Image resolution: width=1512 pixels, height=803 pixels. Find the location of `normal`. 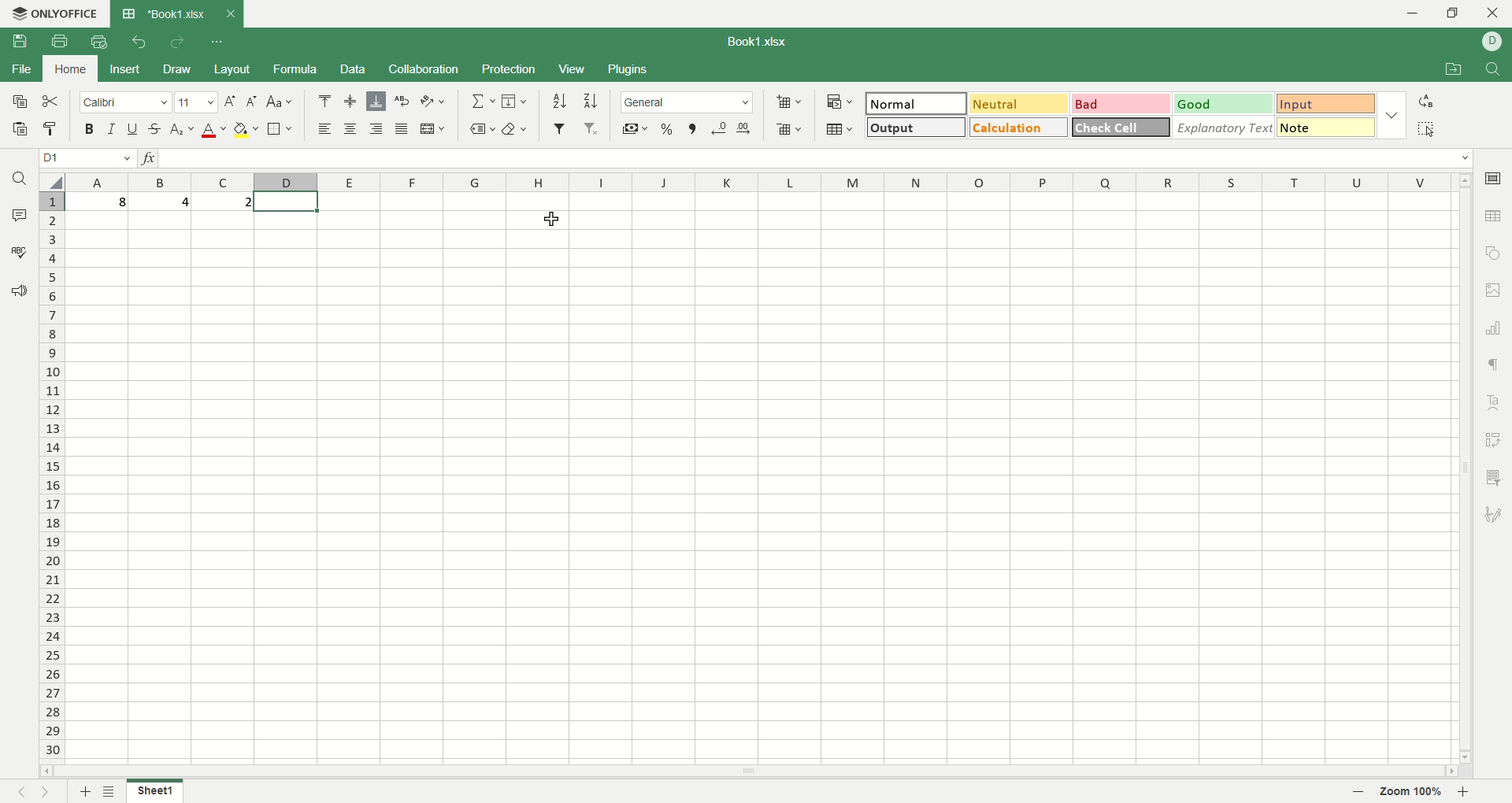

normal is located at coordinates (917, 103).